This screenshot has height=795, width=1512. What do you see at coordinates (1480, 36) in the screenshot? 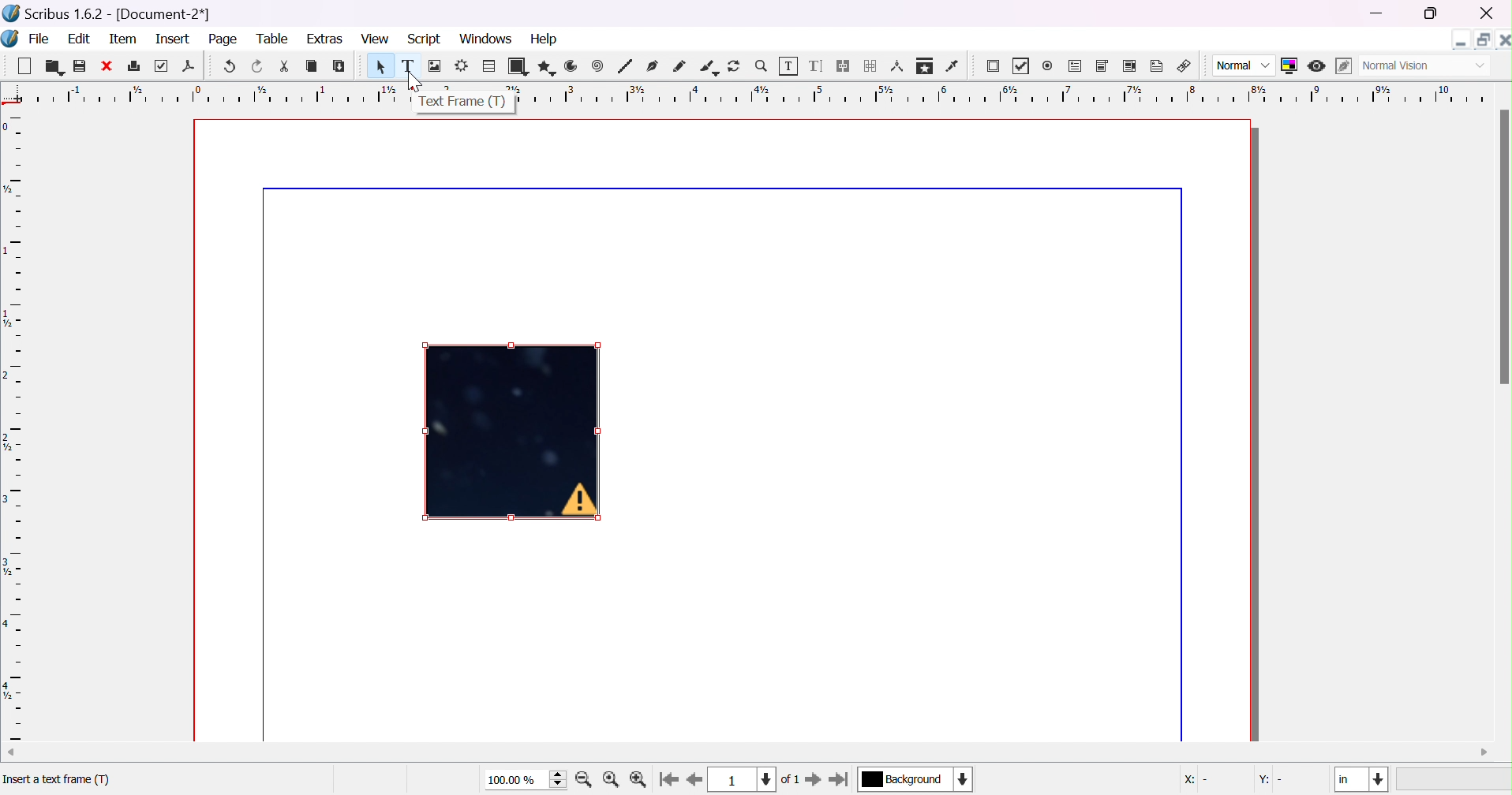
I see `restore down` at bounding box center [1480, 36].